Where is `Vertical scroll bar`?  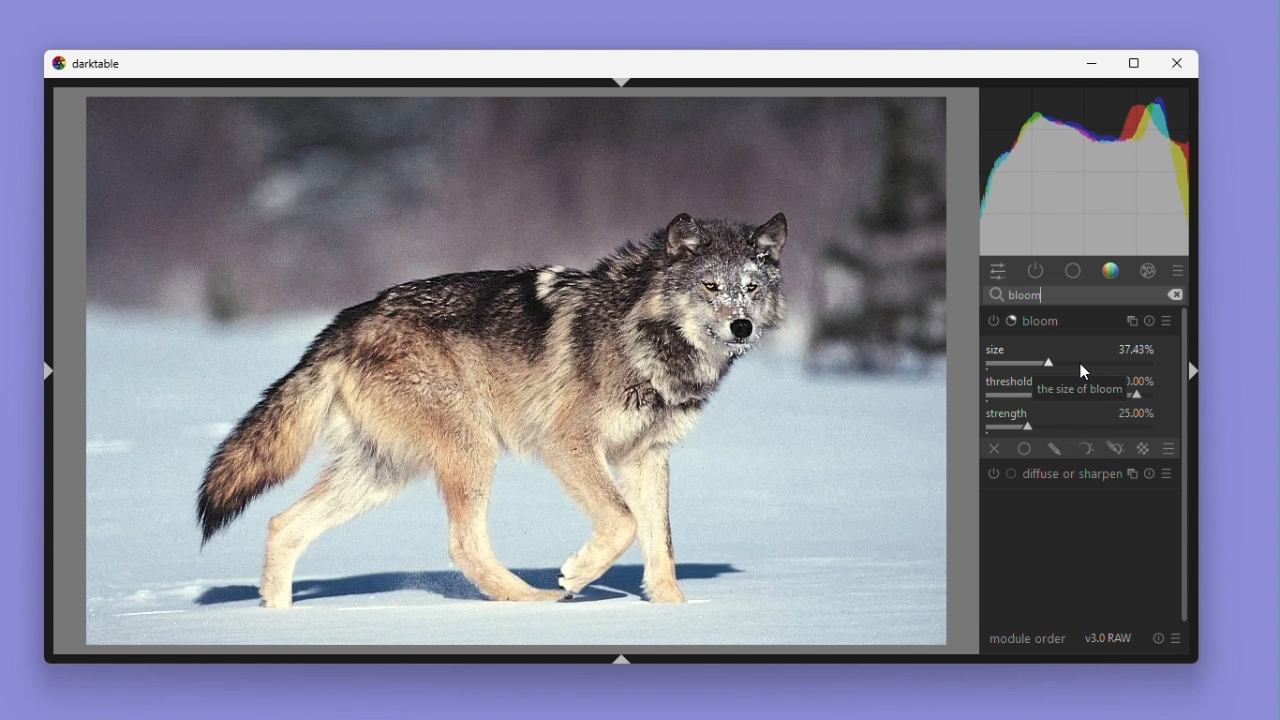
Vertical scroll bar is located at coordinates (1180, 464).